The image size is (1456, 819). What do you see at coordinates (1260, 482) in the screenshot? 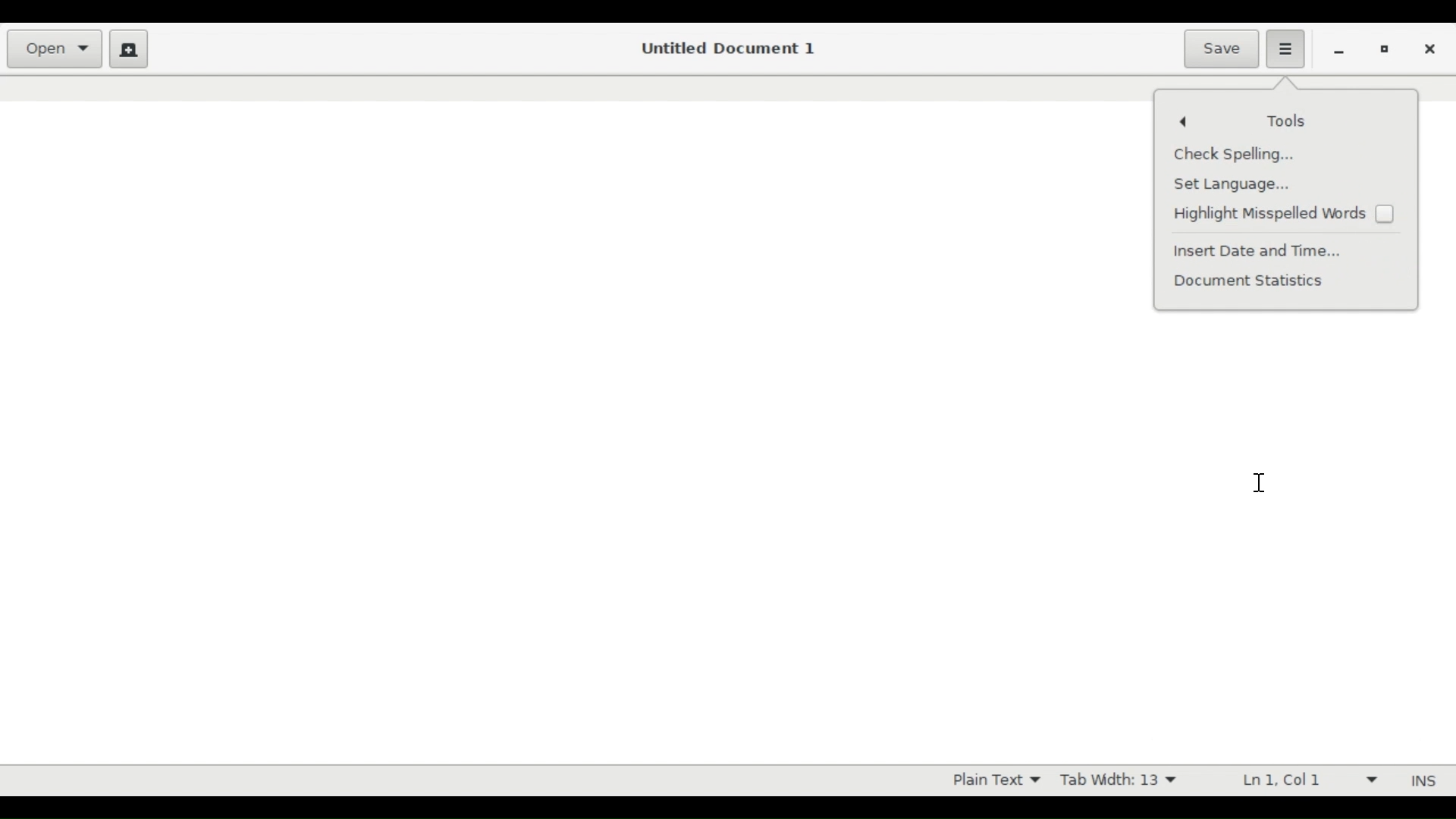
I see `Text Cursor` at bounding box center [1260, 482].